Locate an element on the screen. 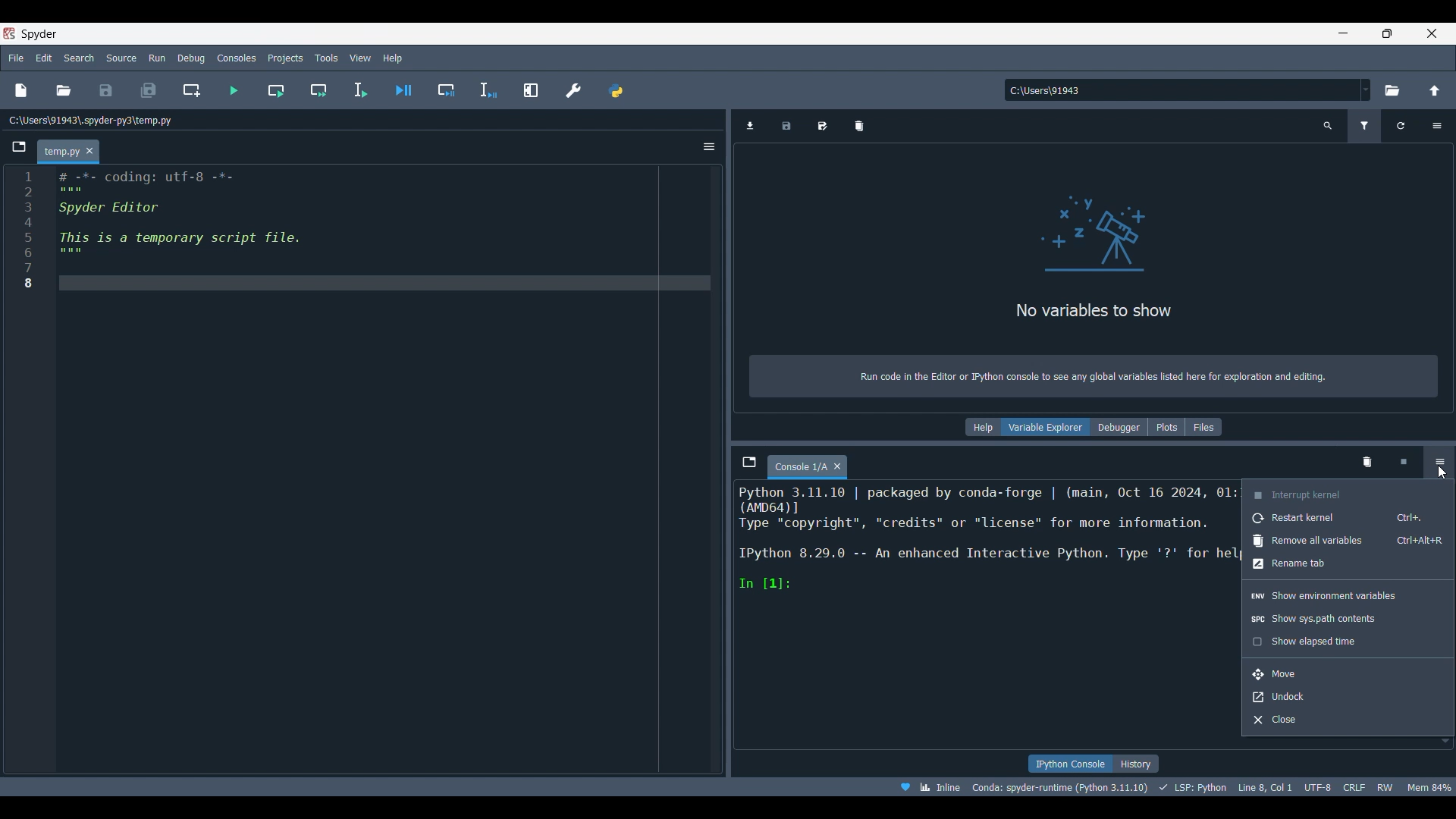 The image size is (1456, 819). IRN # -*- coding: utf-g -*-

: Spyder Editor

: Thisiisiaitemporaryiscriptifile,

7

s is located at coordinates (222, 236).